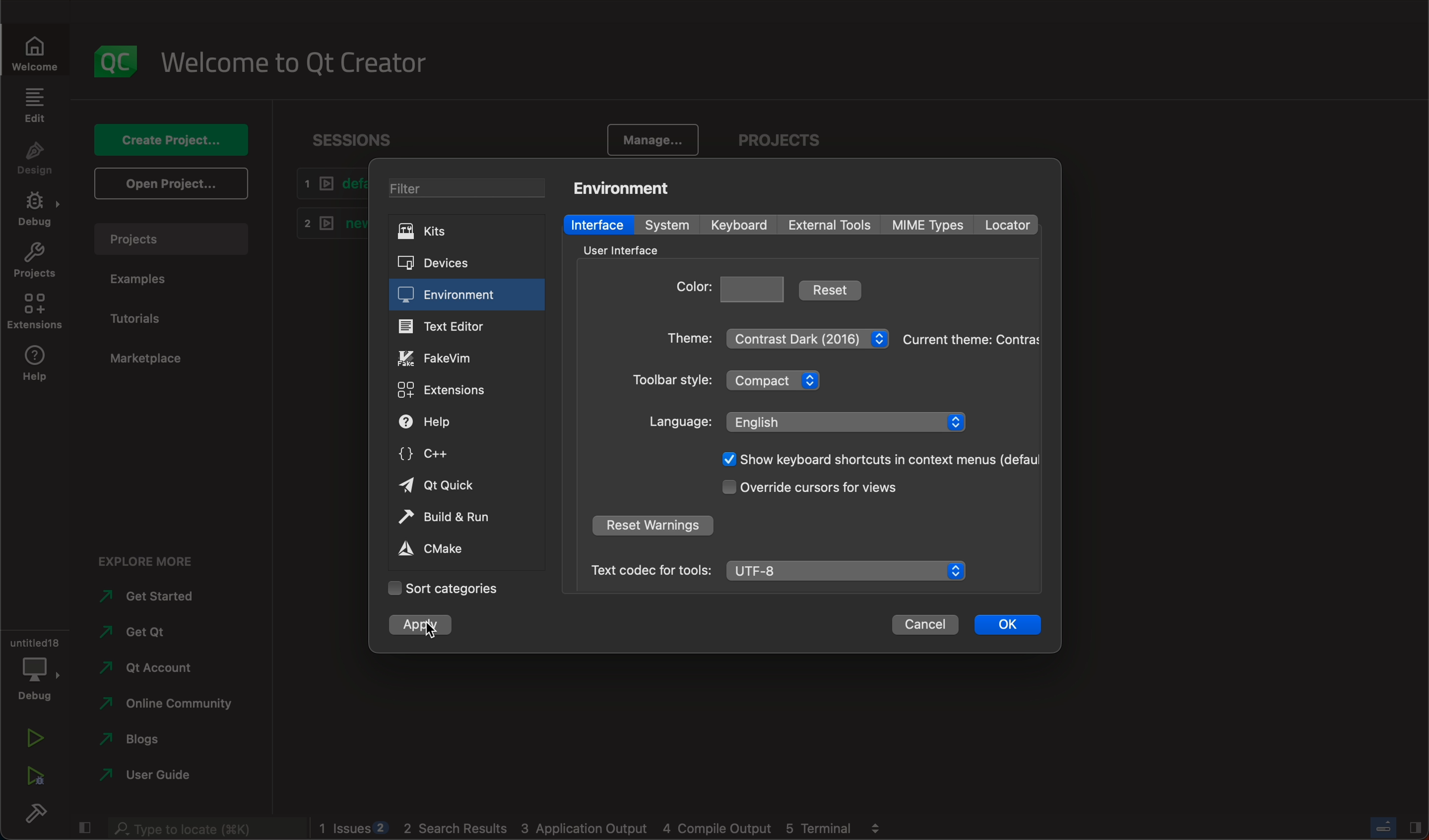 This screenshot has width=1429, height=840. What do you see at coordinates (111, 59) in the screenshot?
I see `logo` at bounding box center [111, 59].